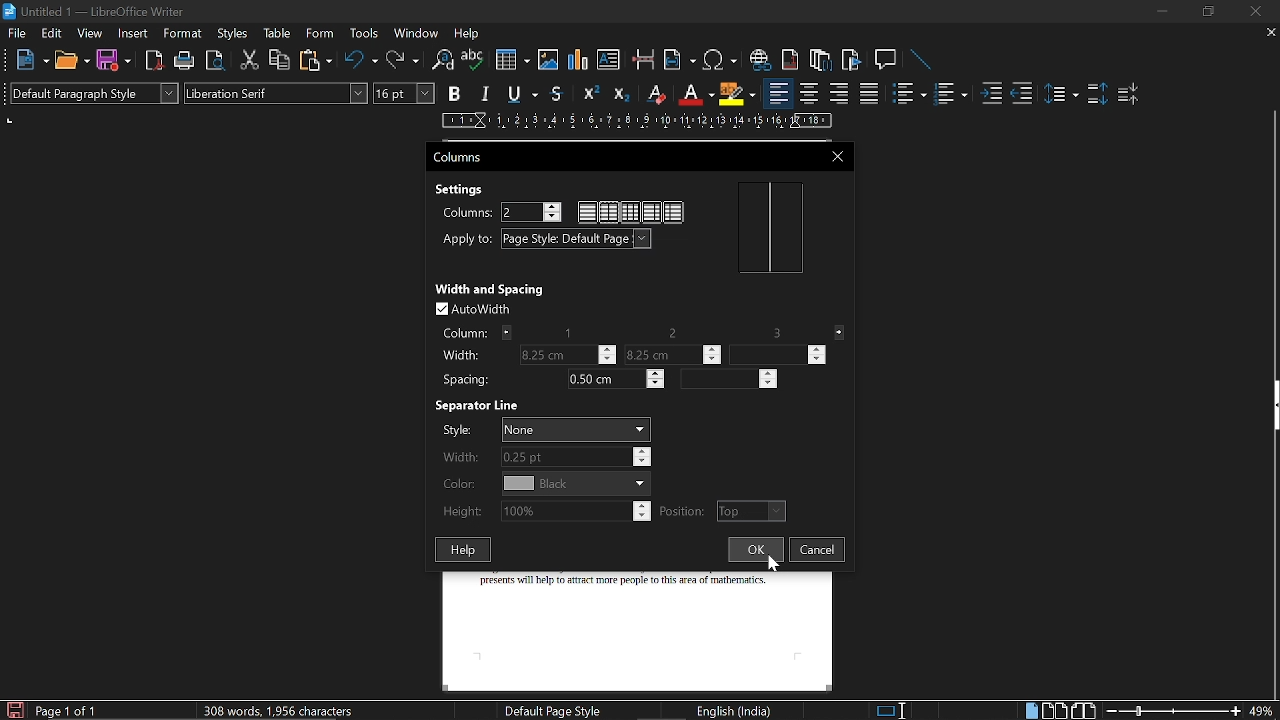  What do you see at coordinates (580, 61) in the screenshot?
I see `insert diagram ` at bounding box center [580, 61].